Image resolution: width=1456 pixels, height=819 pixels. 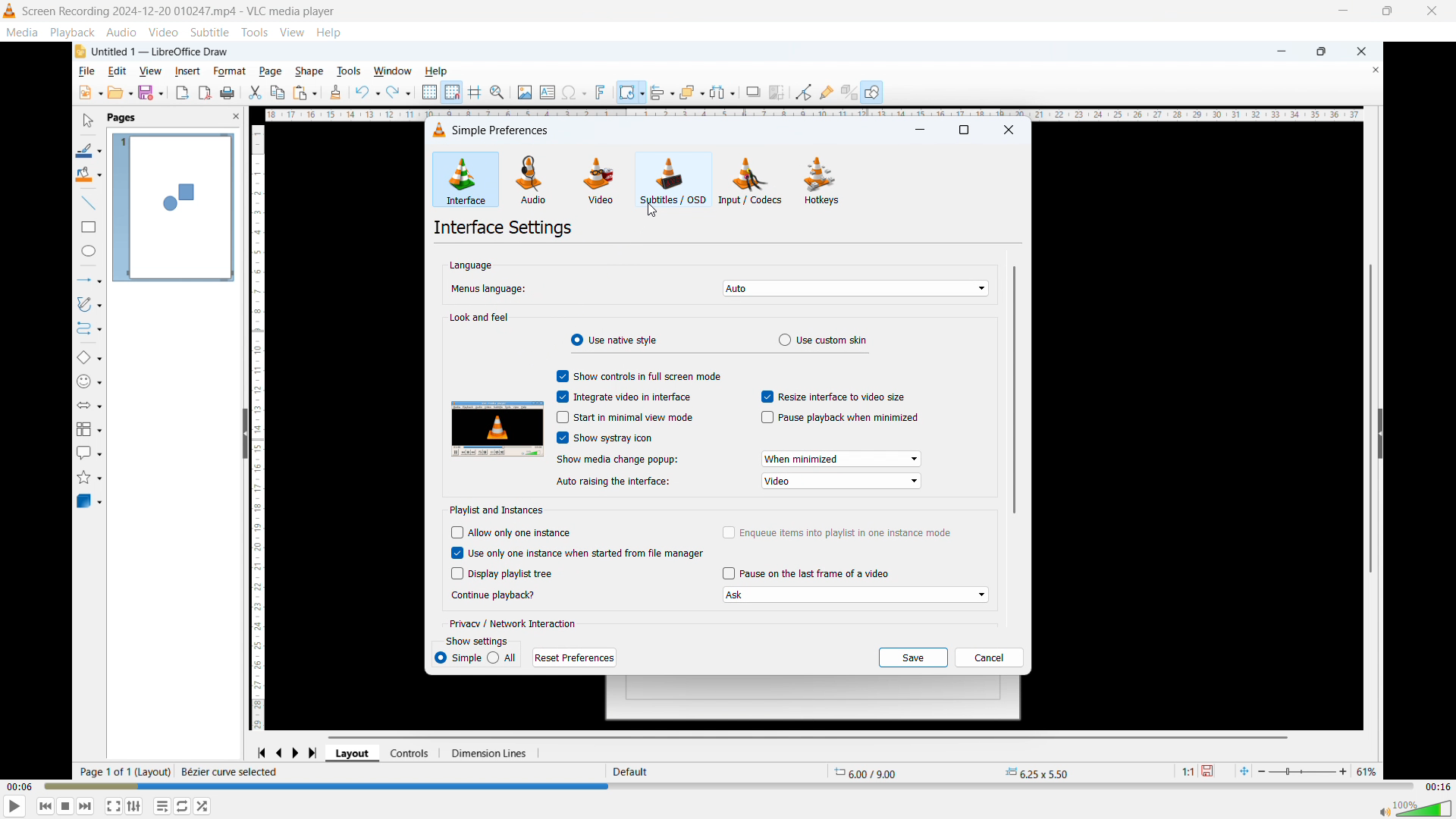 What do you see at coordinates (627, 417) in the screenshot?
I see `Start in minimal view mode ` at bounding box center [627, 417].